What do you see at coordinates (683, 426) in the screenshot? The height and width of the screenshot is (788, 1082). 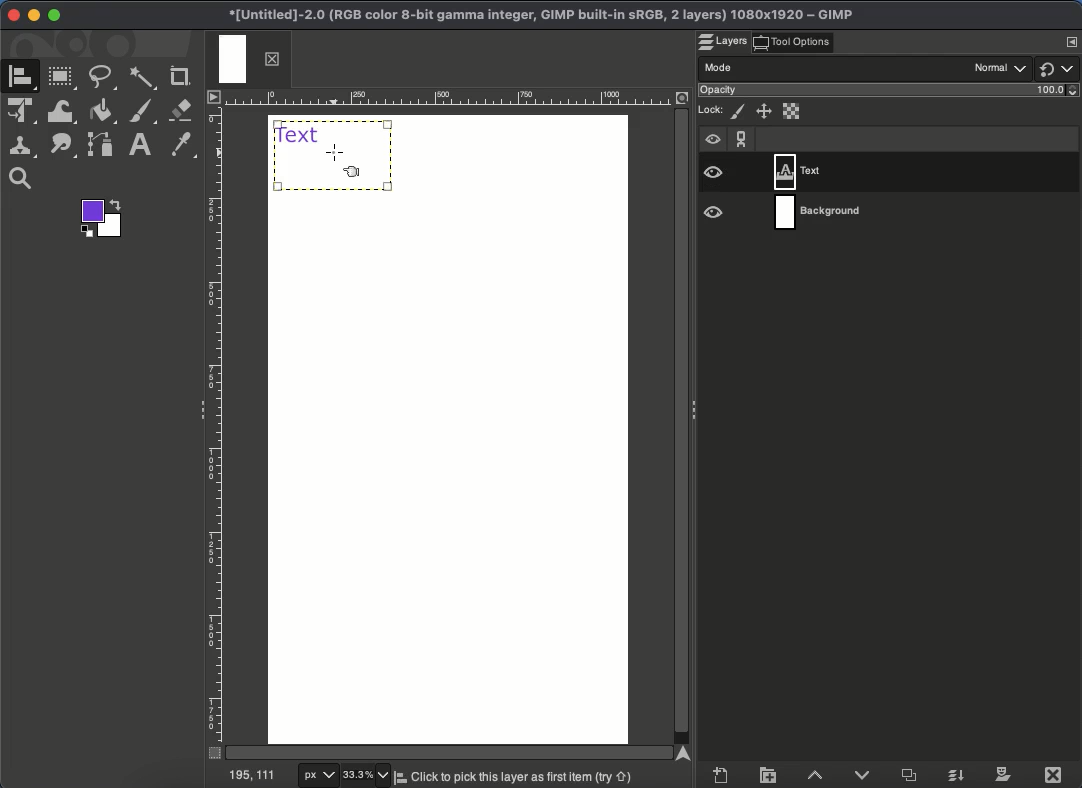 I see `Scroll` at bounding box center [683, 426].